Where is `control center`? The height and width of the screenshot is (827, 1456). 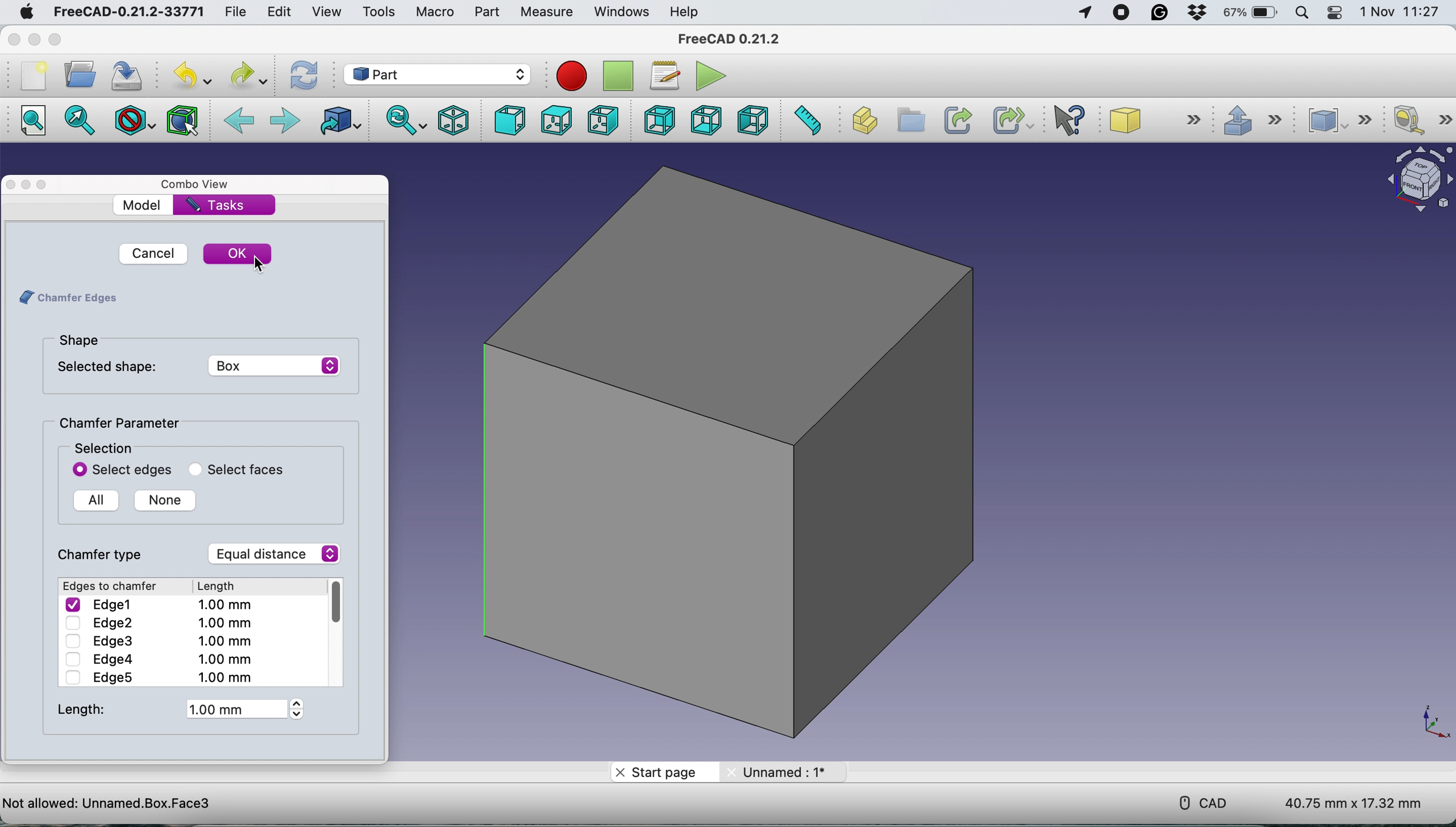
control center is located at coordinates (1336, 14).